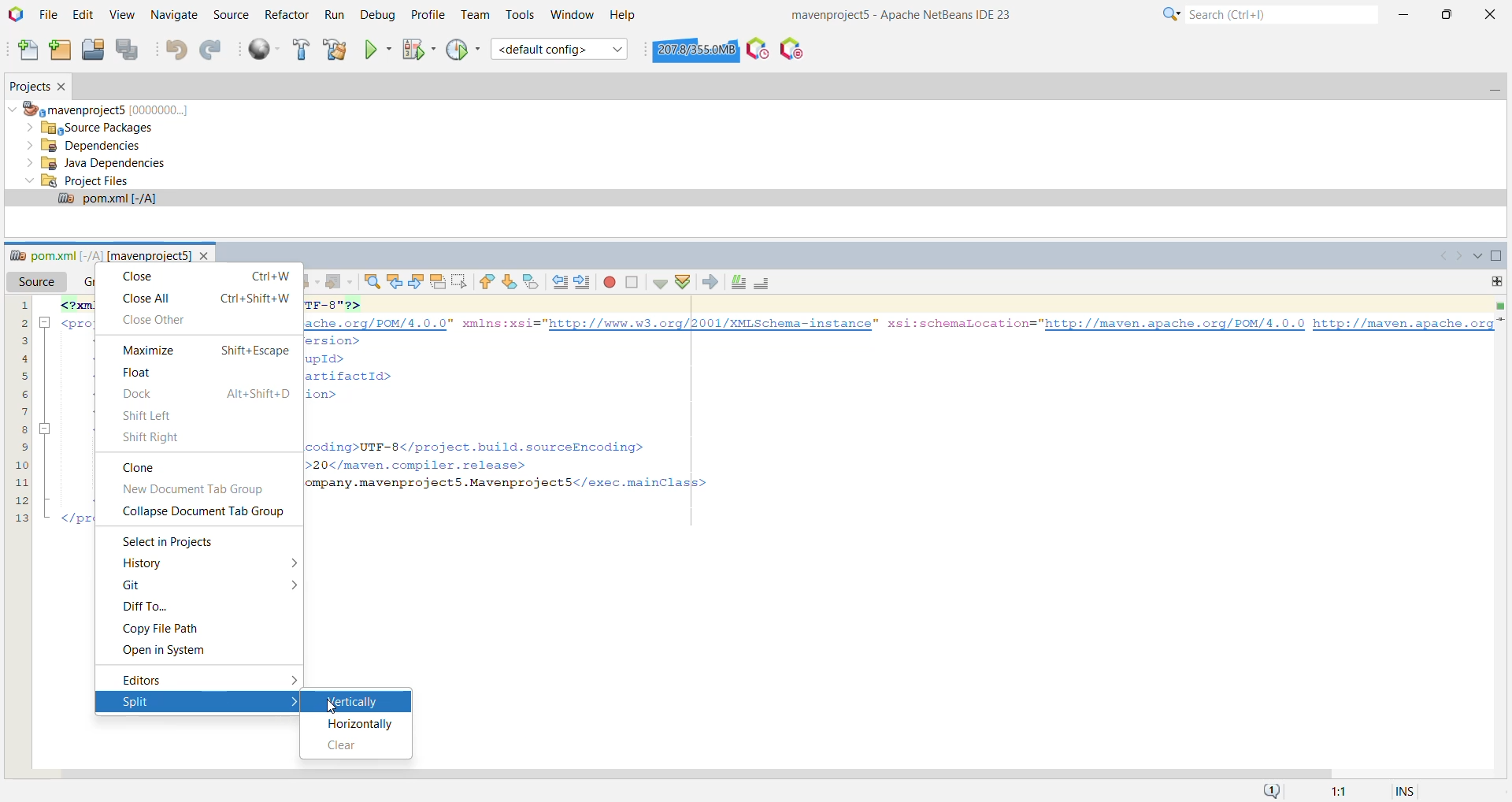  Describe the element at coordinates (560, 49) in the screenshot. I see `Set Project Configuration` at that location.